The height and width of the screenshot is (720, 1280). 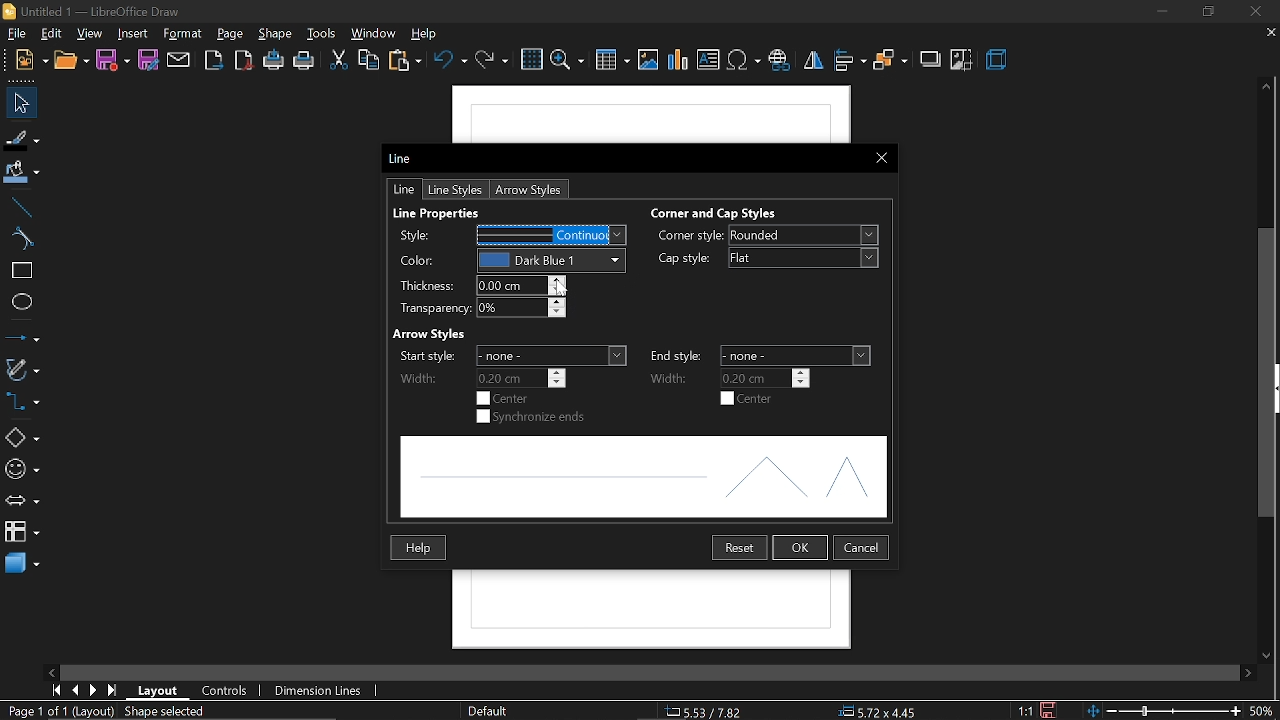 I want to click on move left, so click(x=54, y=670).